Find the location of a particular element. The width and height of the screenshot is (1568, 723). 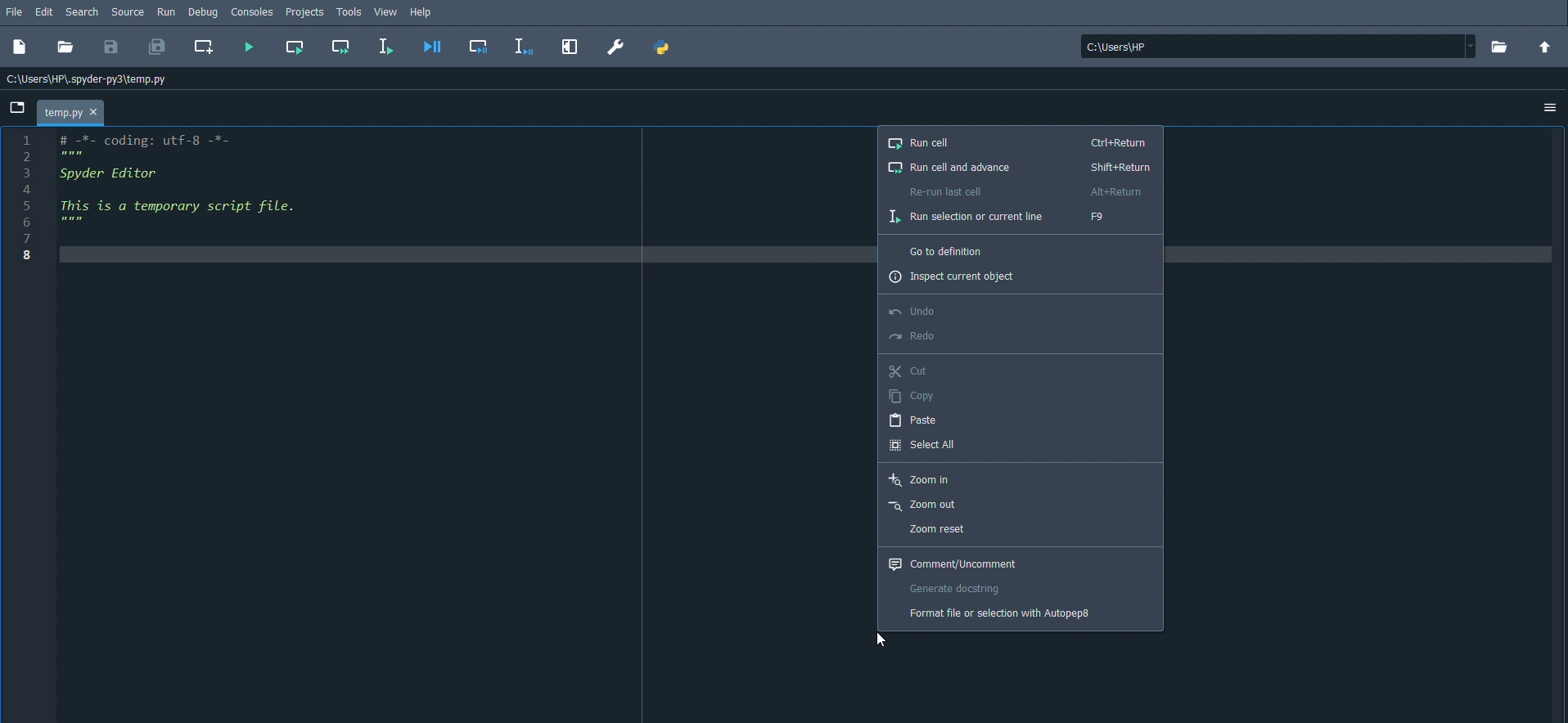

Options is located at coordinates (1549, 110).